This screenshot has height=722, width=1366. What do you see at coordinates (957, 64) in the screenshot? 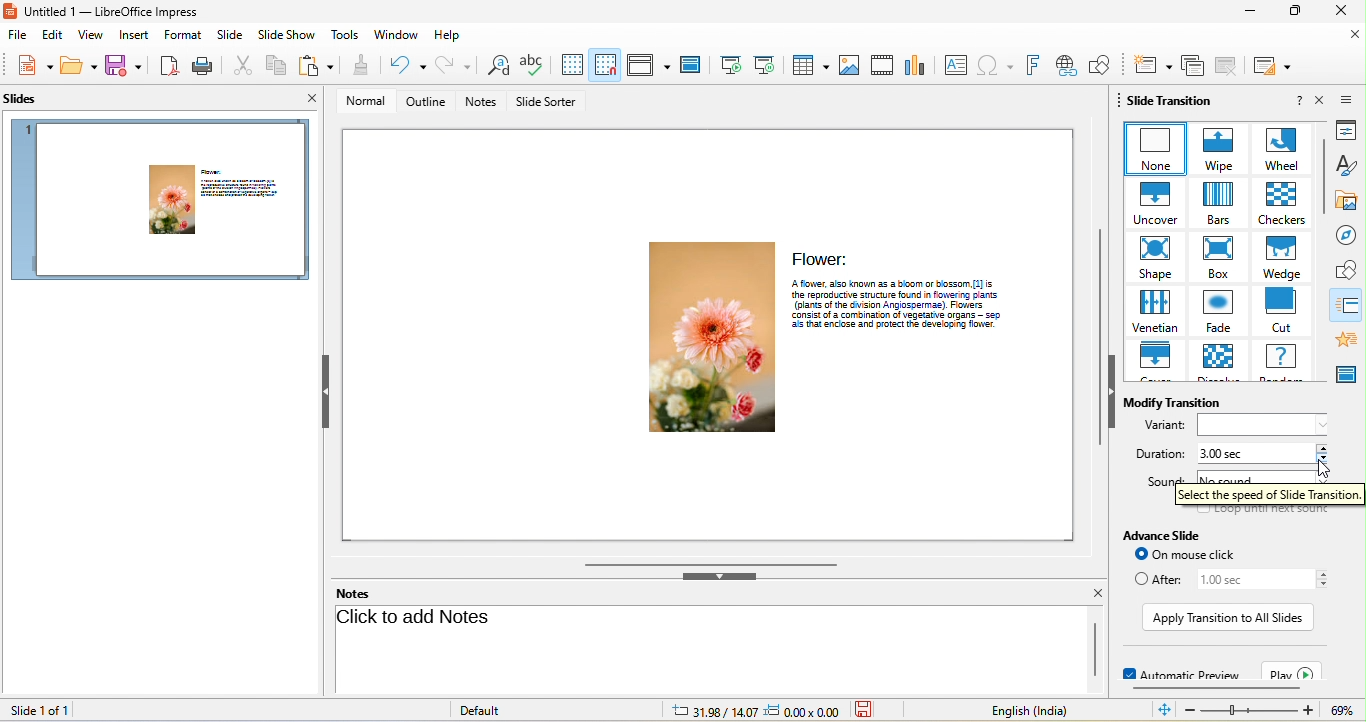
I see `text box` at bounding box center [957, 64].